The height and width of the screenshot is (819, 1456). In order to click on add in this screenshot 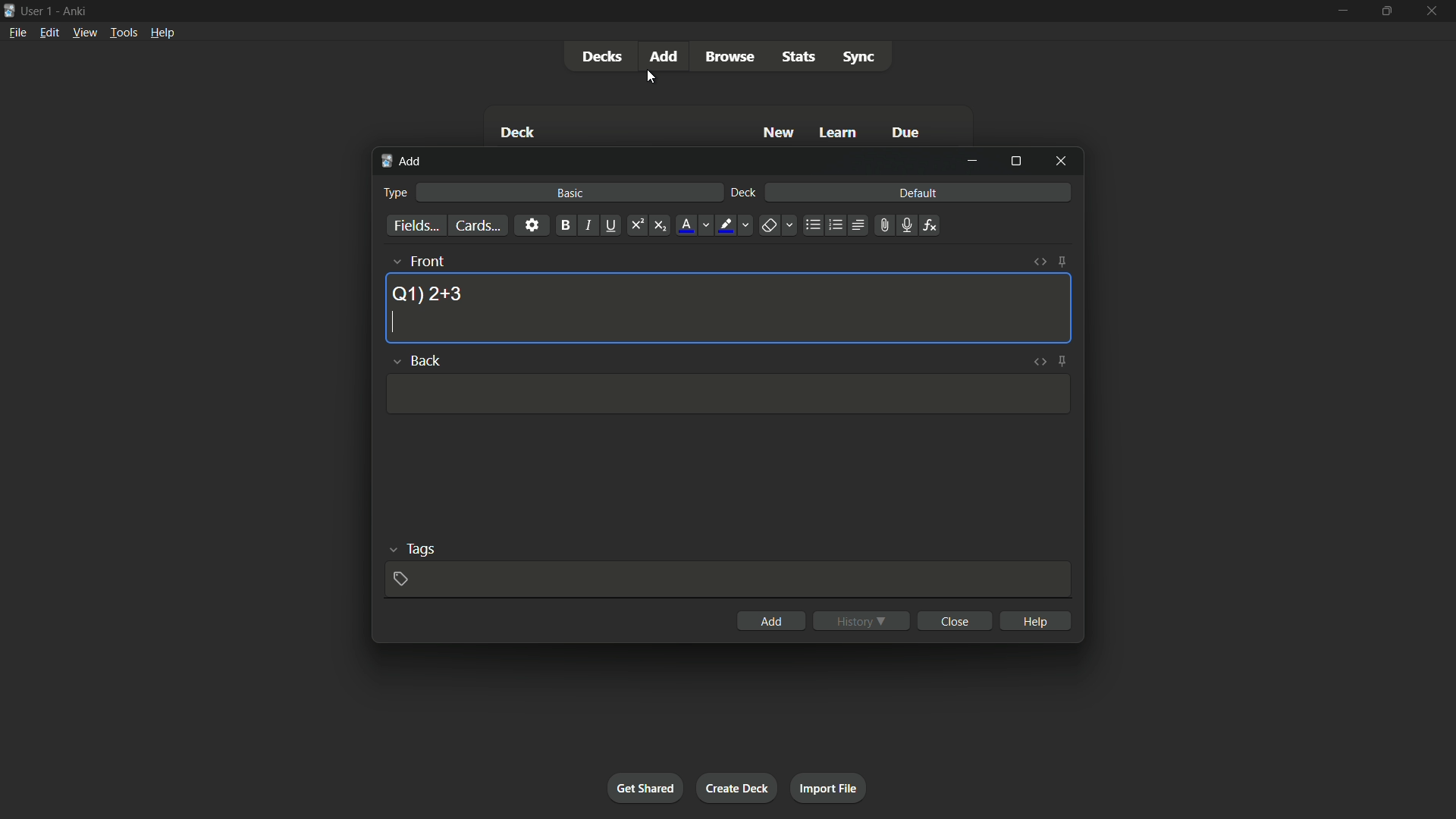, I will do `click(772, 621)`.